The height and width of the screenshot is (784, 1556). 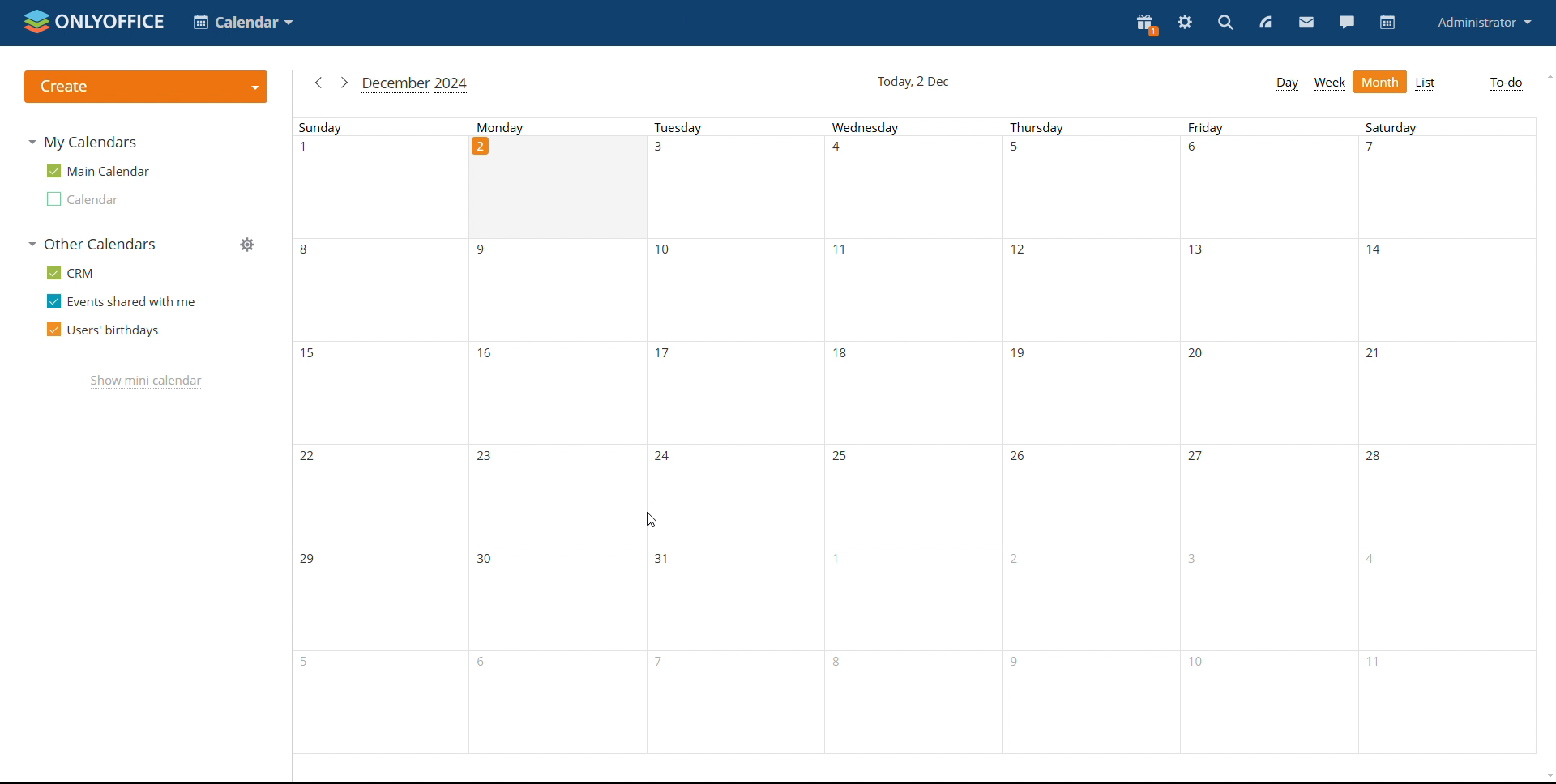 What do you see at coordinates (91, 199) in the screenshot?
I see `other calendar` at bounding box center [91, 199].